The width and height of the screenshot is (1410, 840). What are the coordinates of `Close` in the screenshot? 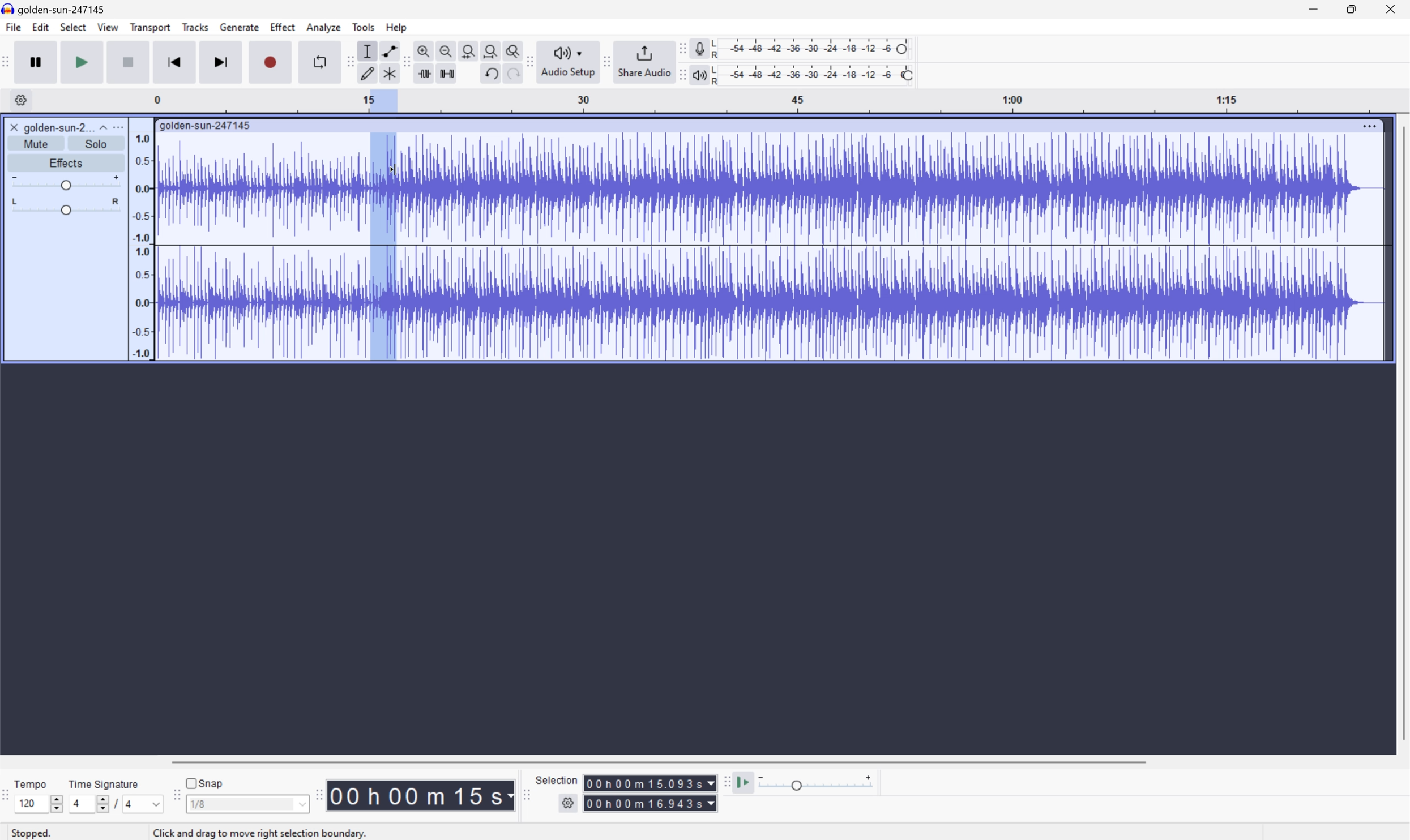 It's located at (1394, 8).